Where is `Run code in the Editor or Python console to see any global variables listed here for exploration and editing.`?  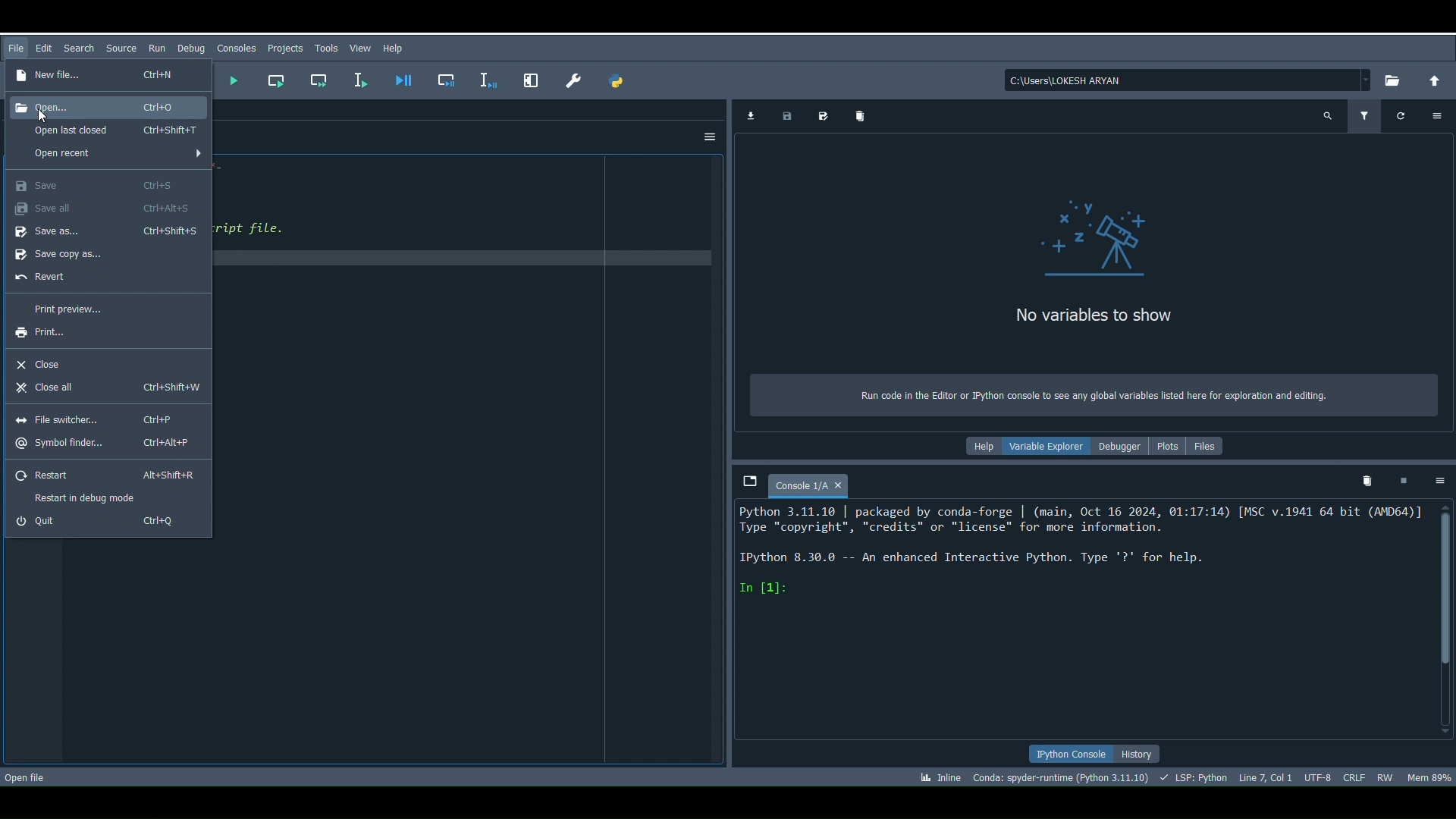 Run code in the Editor or Python console to see any global variables listed here for exploration and editing. is located at coordinates (1094, 395).